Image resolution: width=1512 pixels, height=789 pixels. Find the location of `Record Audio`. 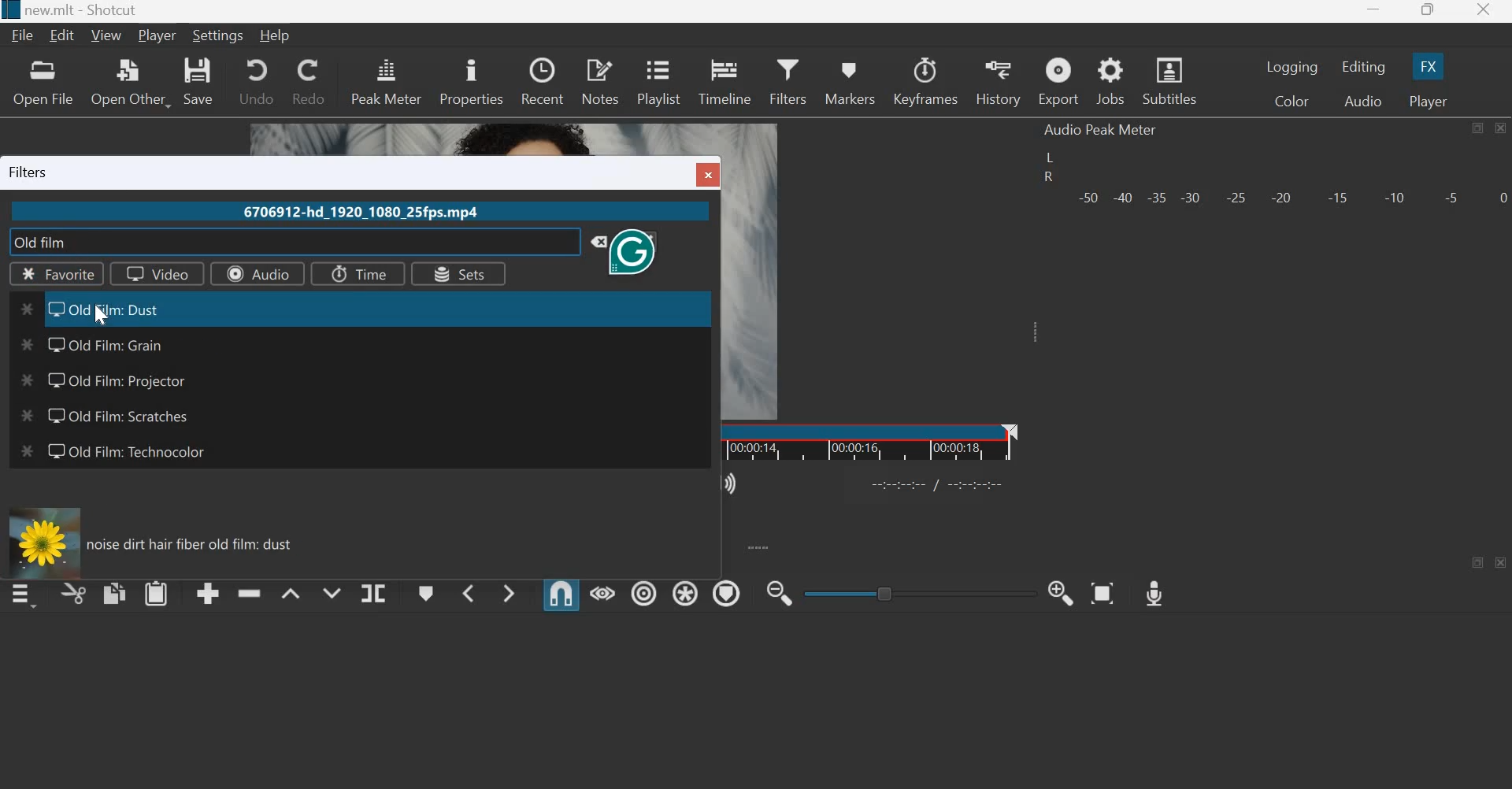

Record Audio is located at coordinates (1153, 589).